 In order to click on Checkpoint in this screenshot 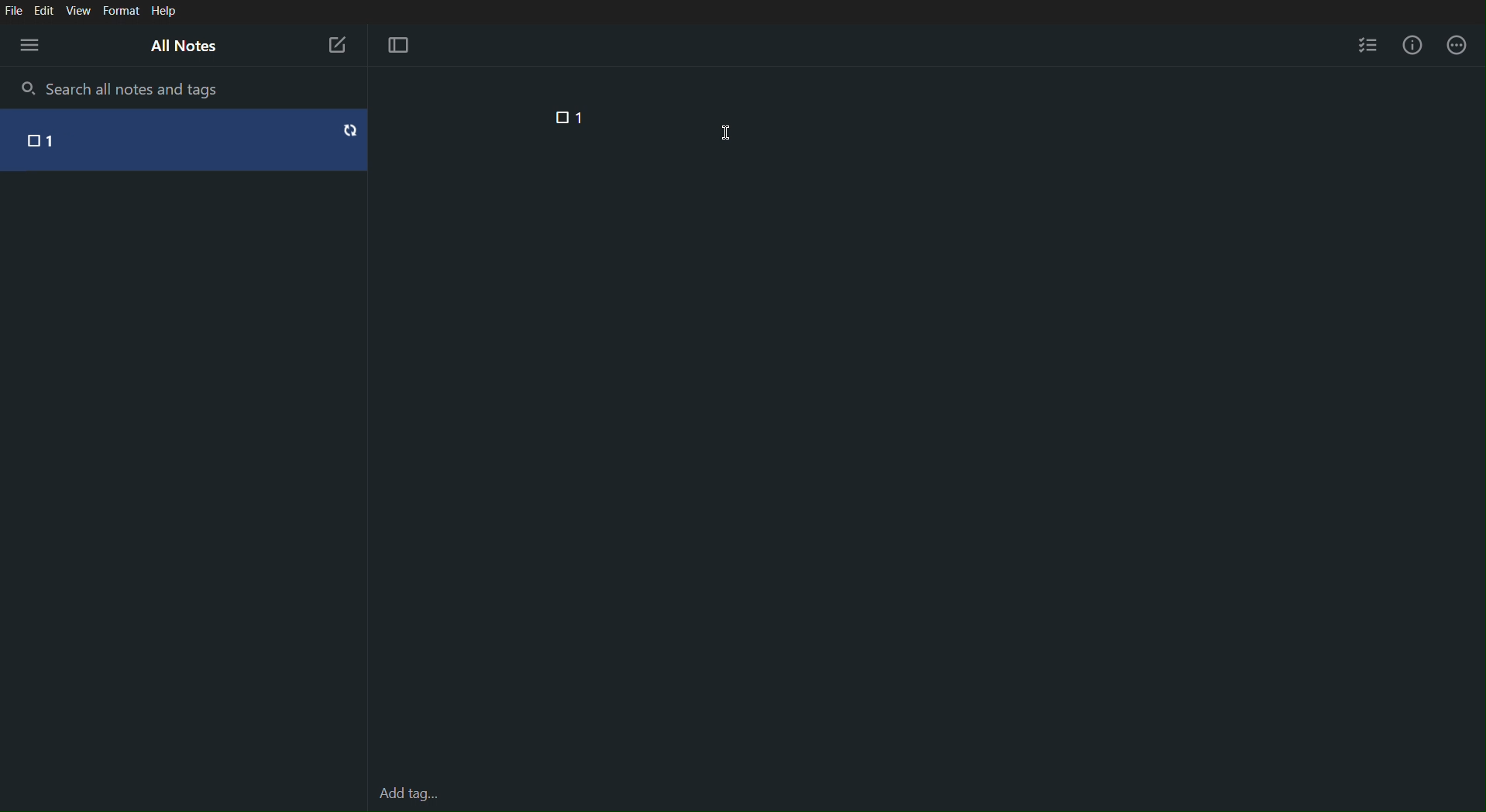, I will do `click(557, 117)`.